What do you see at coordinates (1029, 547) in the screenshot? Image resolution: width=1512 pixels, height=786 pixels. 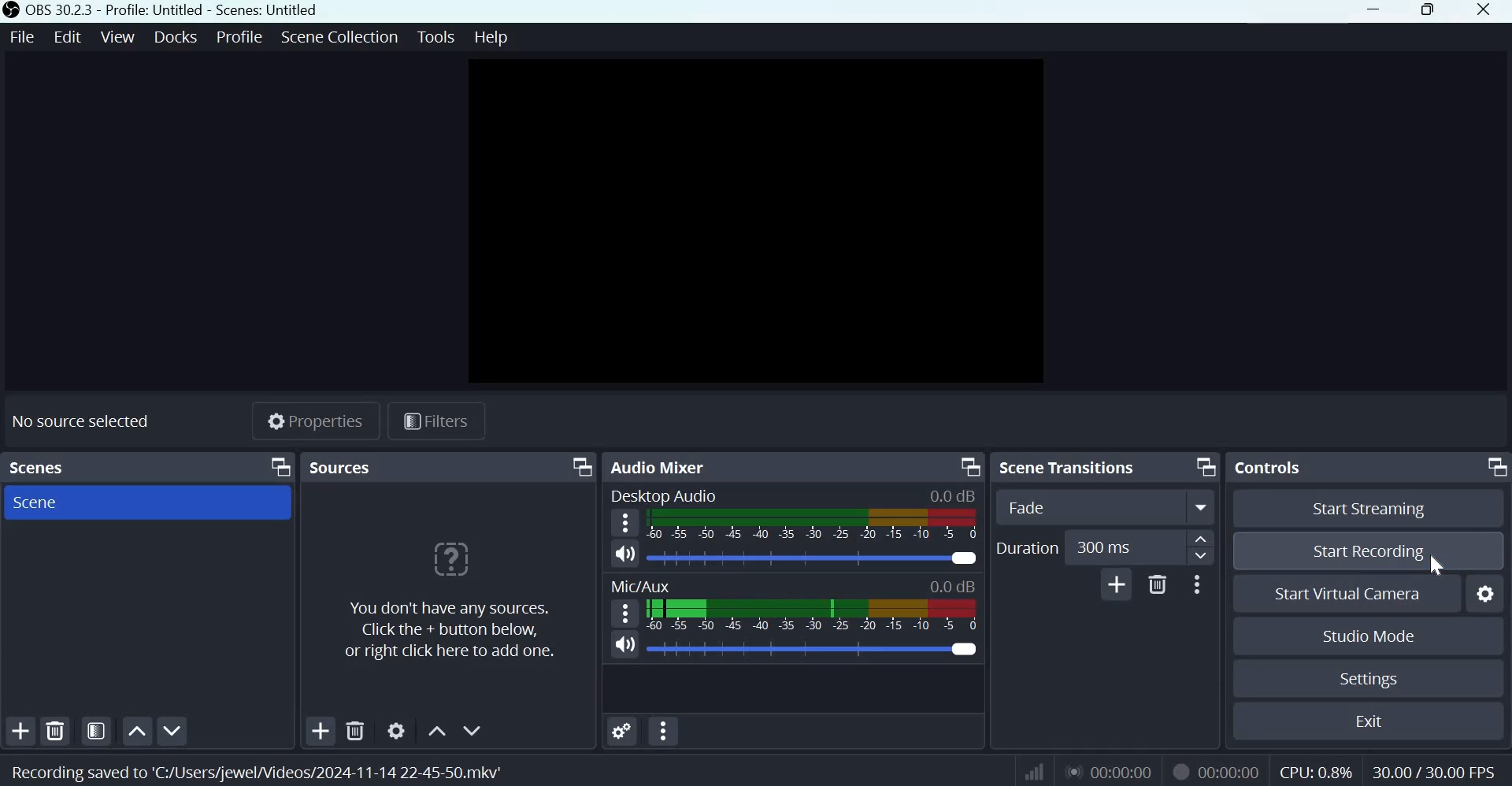 I see `Duration` at bounding box center [1029, 547].